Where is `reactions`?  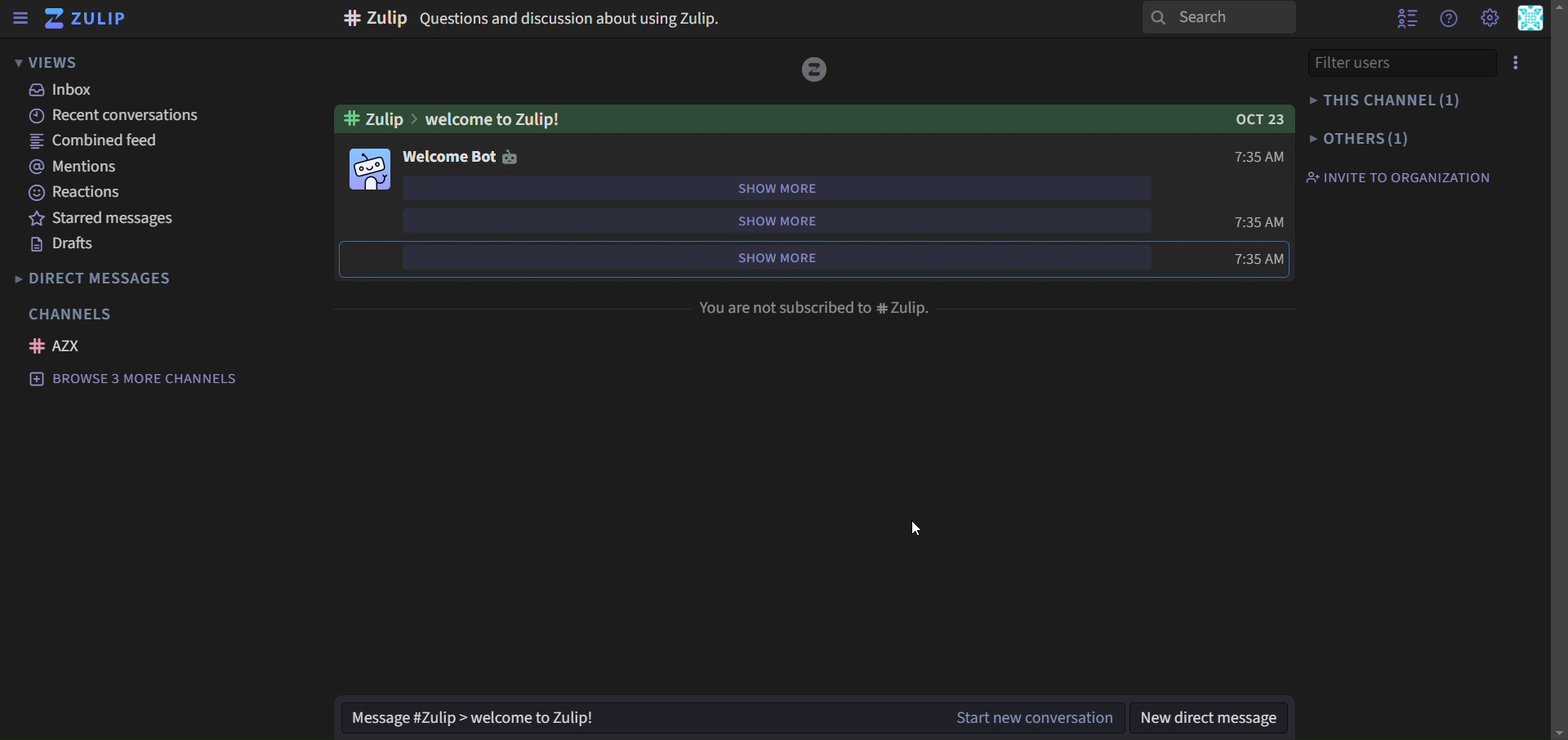 reactions is located at coordinates (78, 194).